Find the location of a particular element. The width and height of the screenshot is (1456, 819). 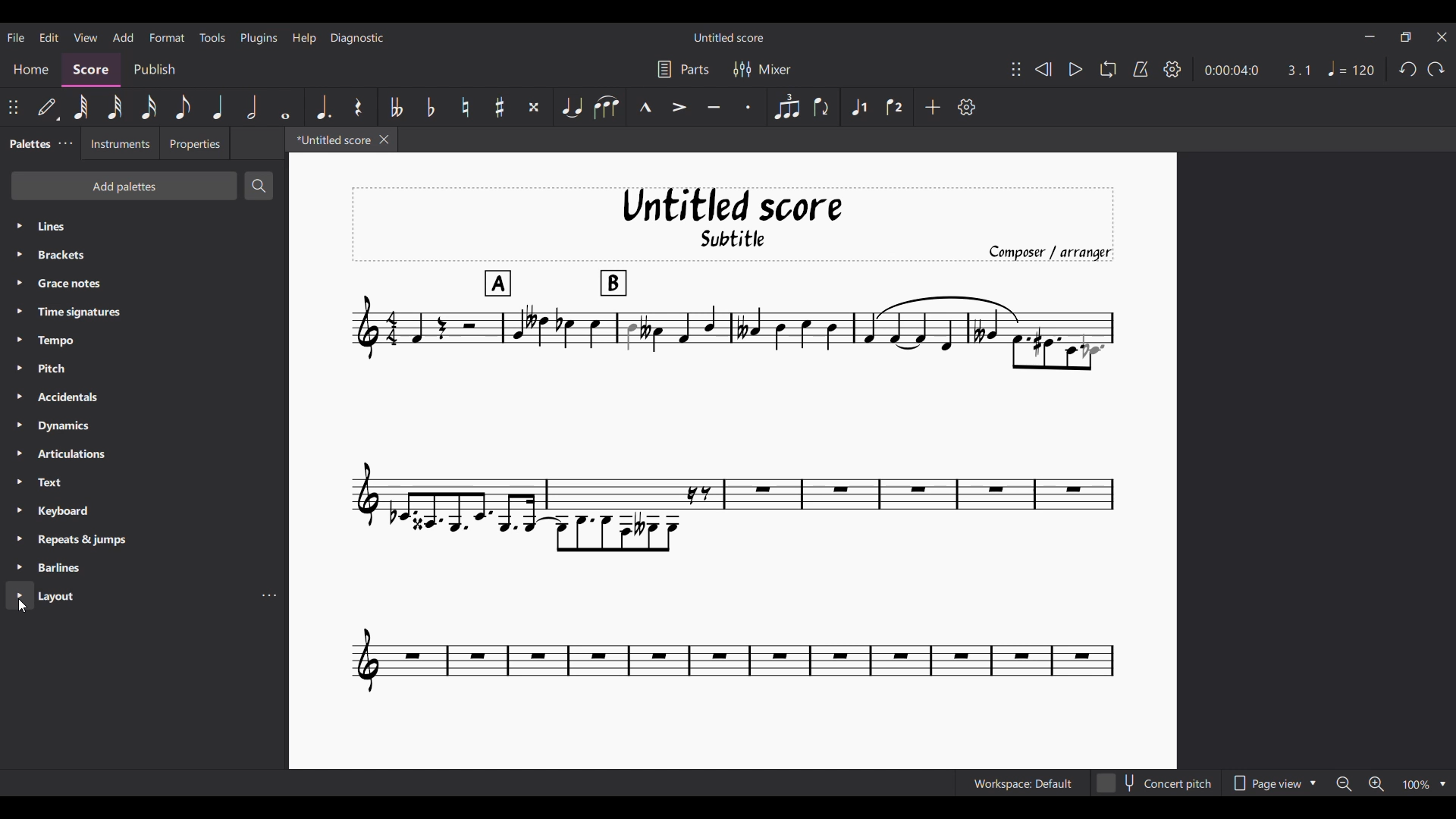

Keyboard is located at coordinates (145, 510).